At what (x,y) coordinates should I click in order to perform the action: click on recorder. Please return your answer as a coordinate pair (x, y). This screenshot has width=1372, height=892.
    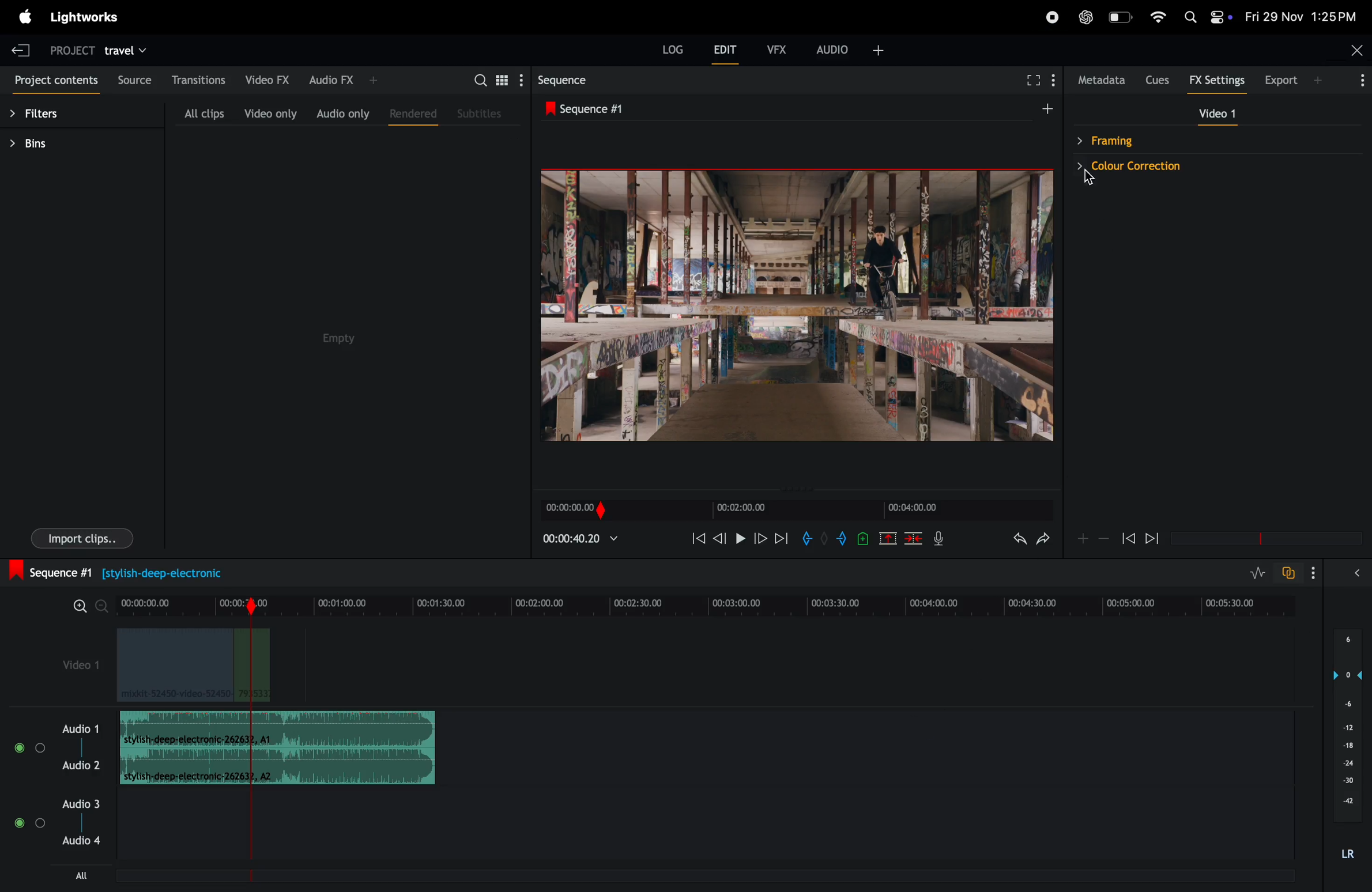
    Looking at the image, I should click on (1051, 18).